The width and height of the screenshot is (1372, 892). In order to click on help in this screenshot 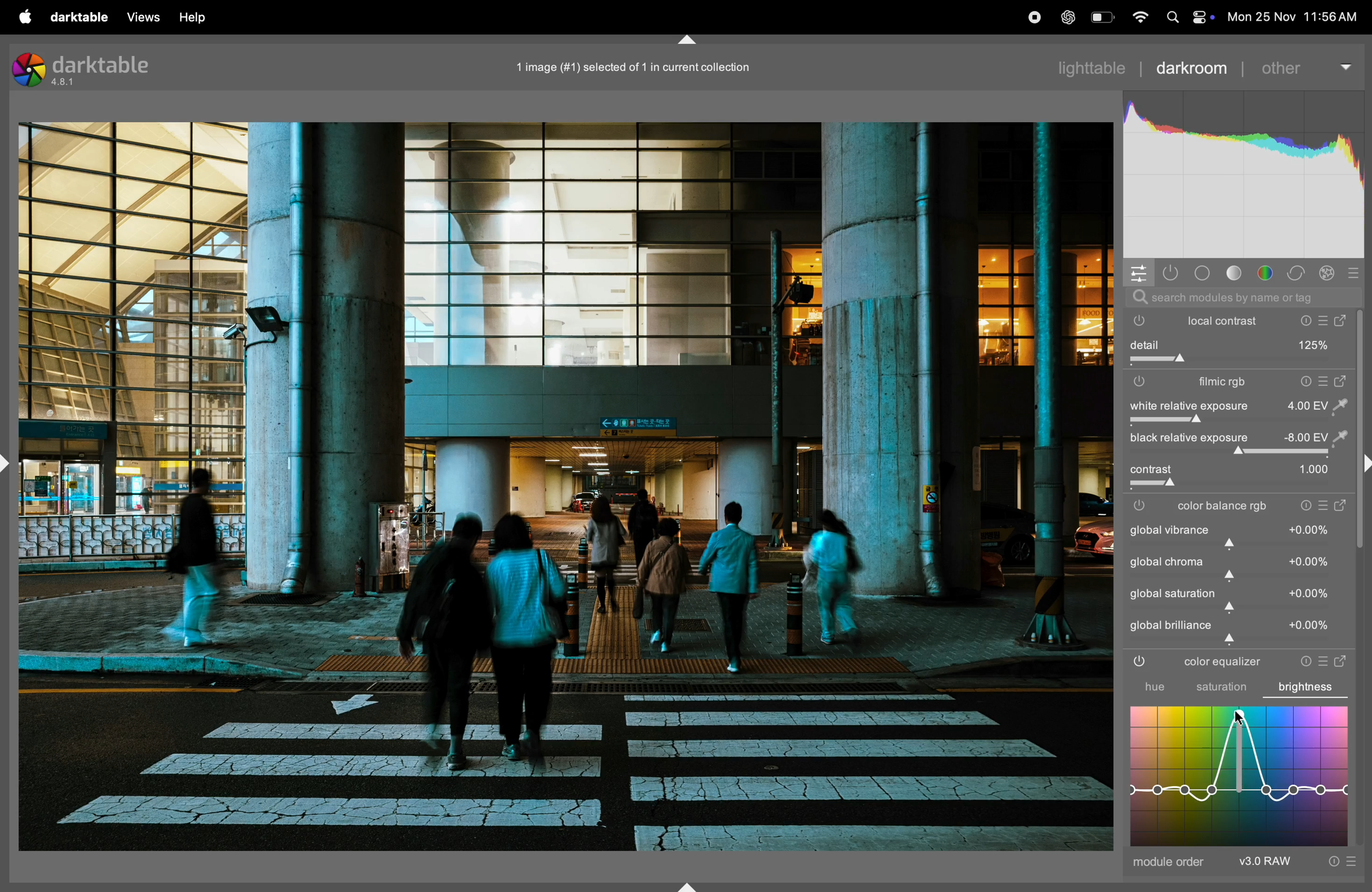, I will do `click(193, 17)`.